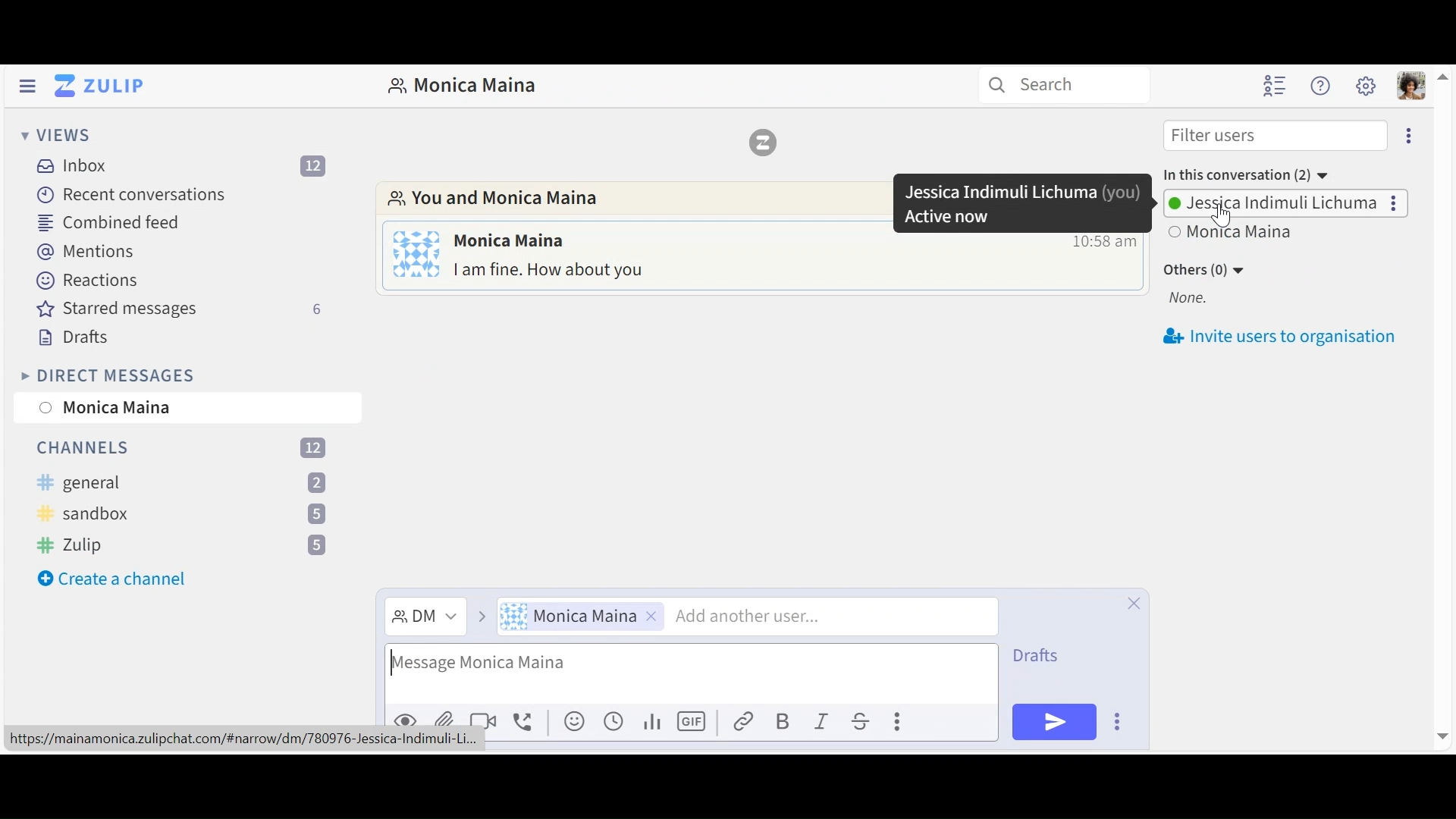 This screenshot has height=819, width=1456. Describe the element at coordinates (825, 615) in the screenshot. I see `Add another user` at that location.